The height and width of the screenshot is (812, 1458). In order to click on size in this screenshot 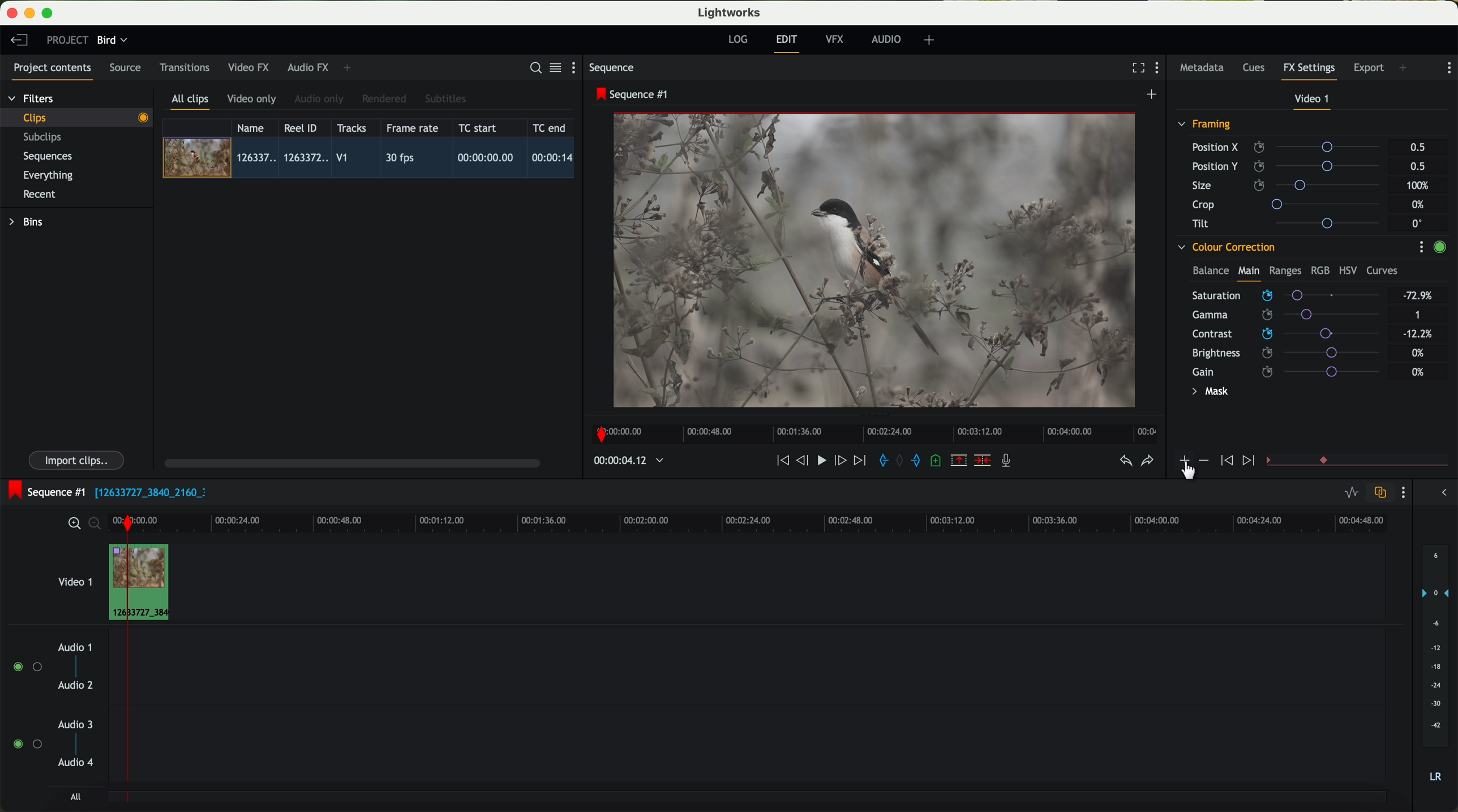, I will do `click(1289, 186)`.